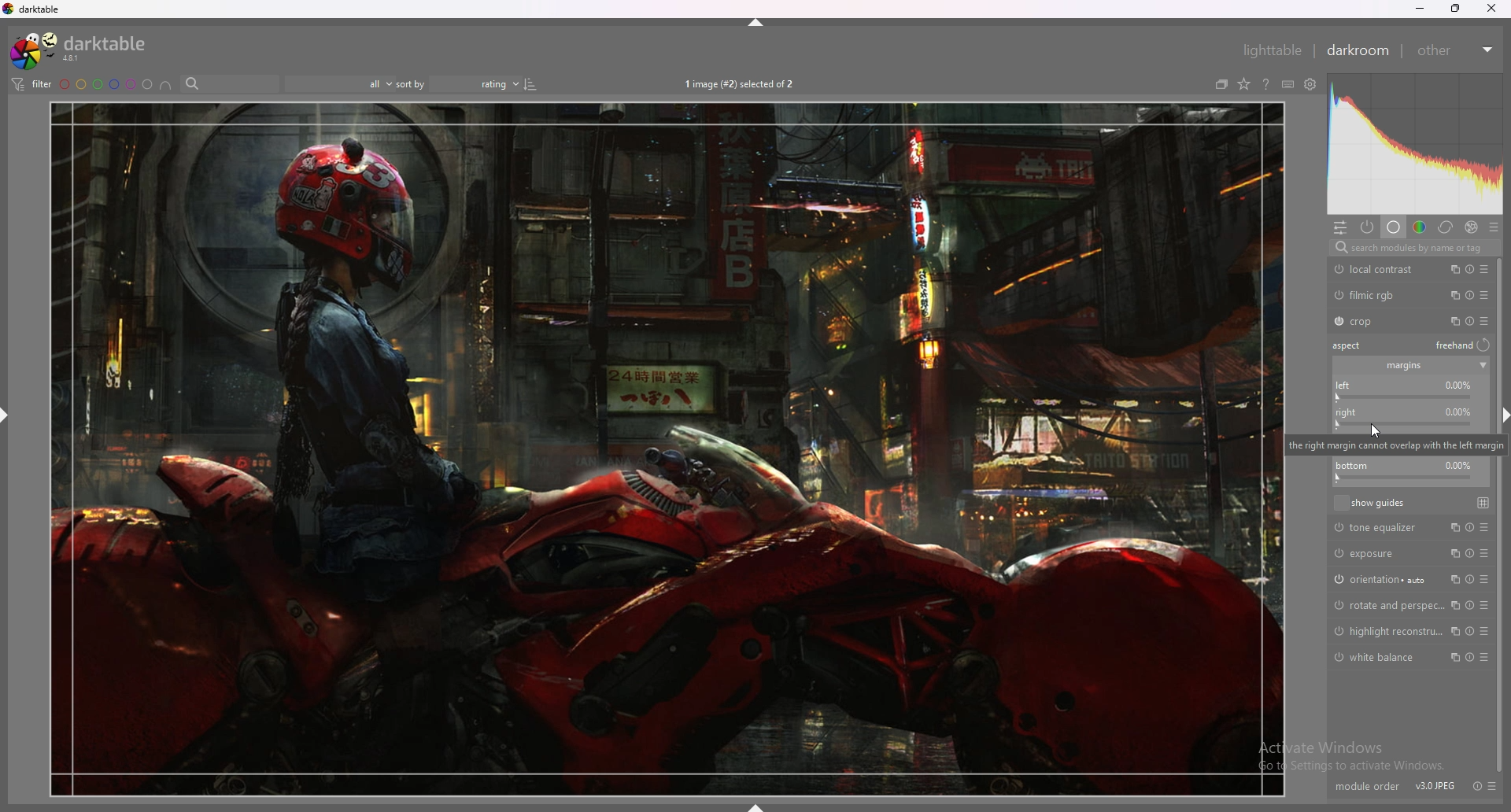 This screenshot has height=812, width=1511. Describe the element at coordinates (1413, 248) in the screenshot. I see `search modules` at that location.